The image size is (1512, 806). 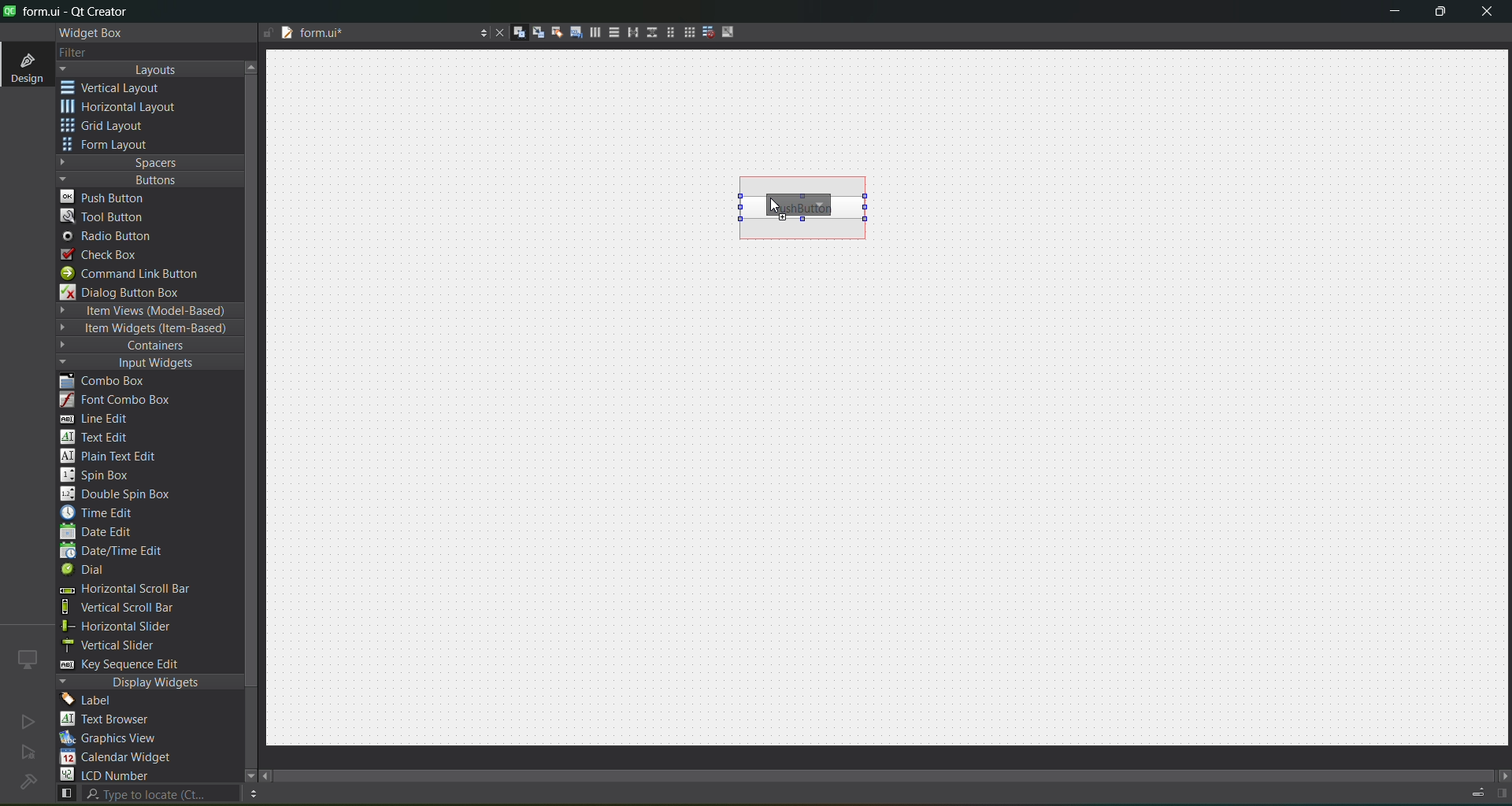 I want to click on no active project, so click(x=28, y=721).